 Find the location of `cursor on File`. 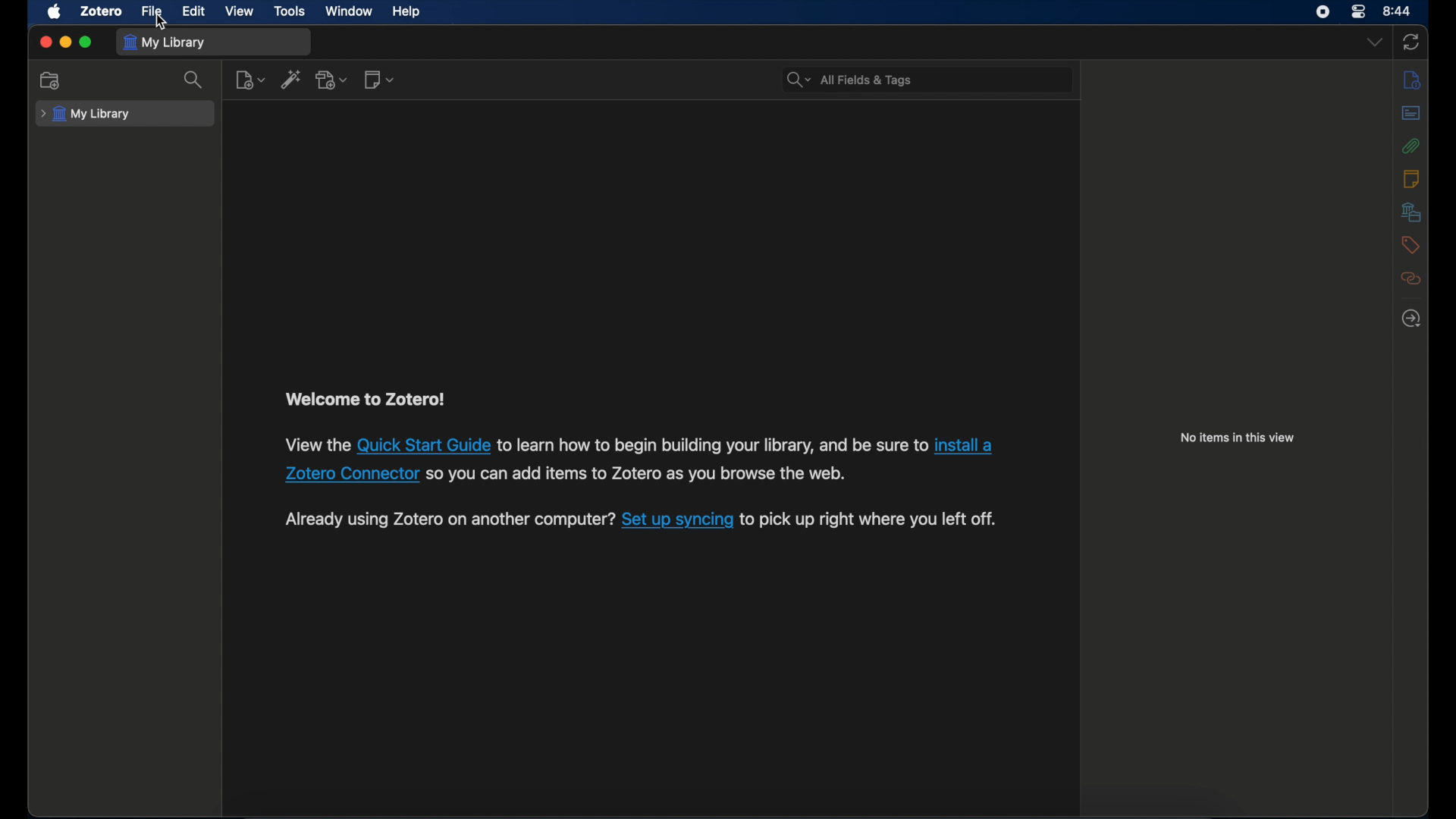

cursor on File is located at coordinates (161, 22).